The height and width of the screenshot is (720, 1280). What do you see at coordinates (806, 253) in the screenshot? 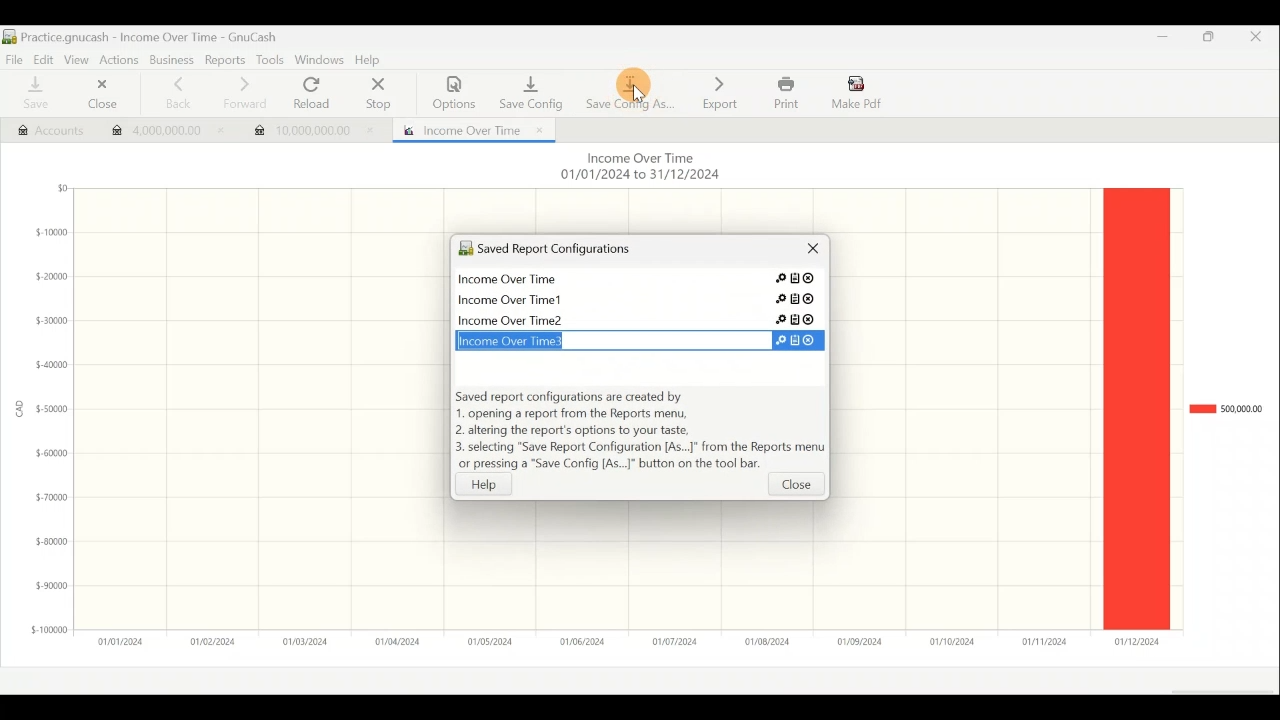
I see `Close` at bounding box center [806, 253].